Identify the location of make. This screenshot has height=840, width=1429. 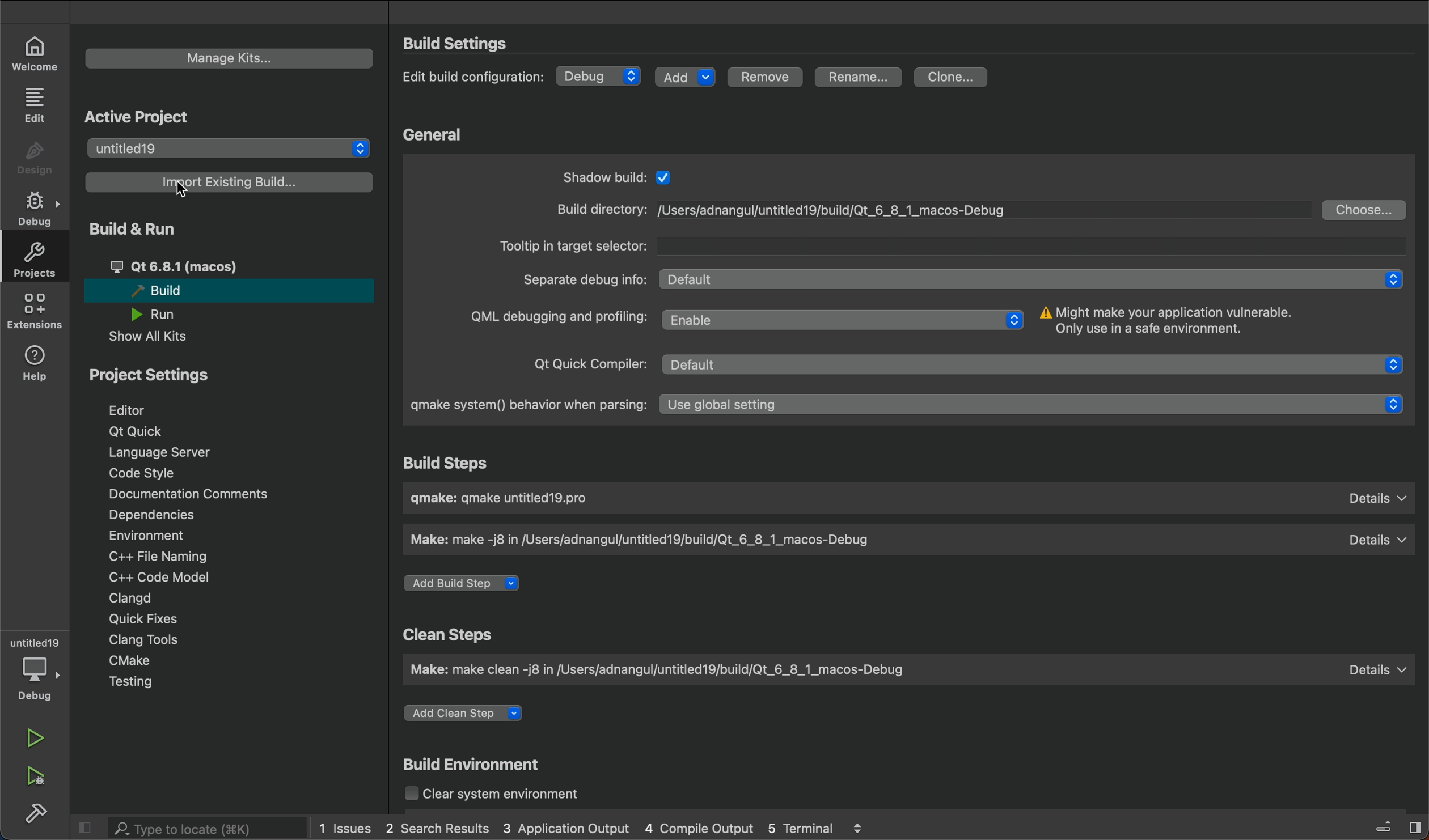
(905, 669).